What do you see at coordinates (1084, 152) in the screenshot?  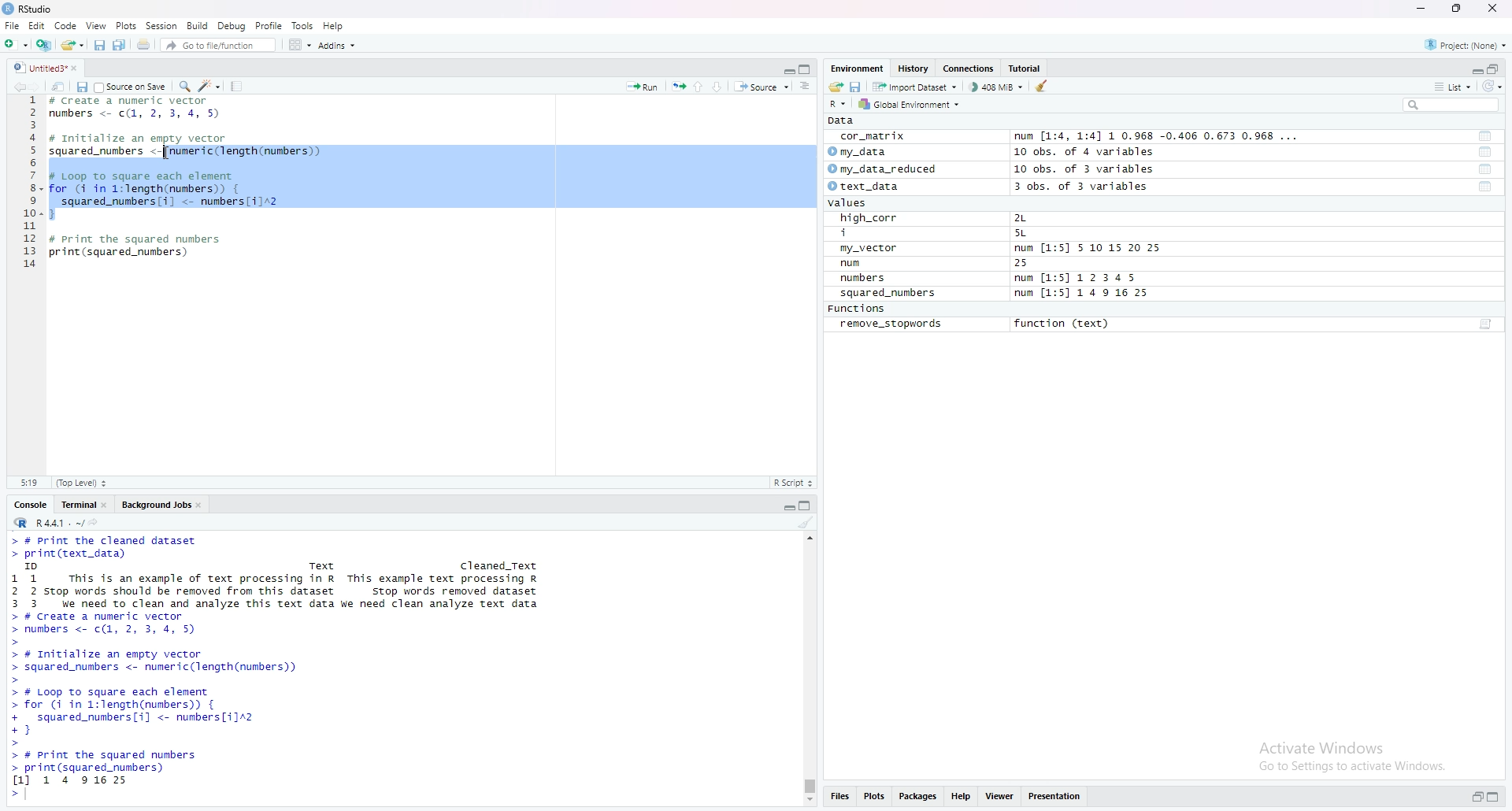 I see `10 obs. of 4 variables` at bounding box center [1084, 152].